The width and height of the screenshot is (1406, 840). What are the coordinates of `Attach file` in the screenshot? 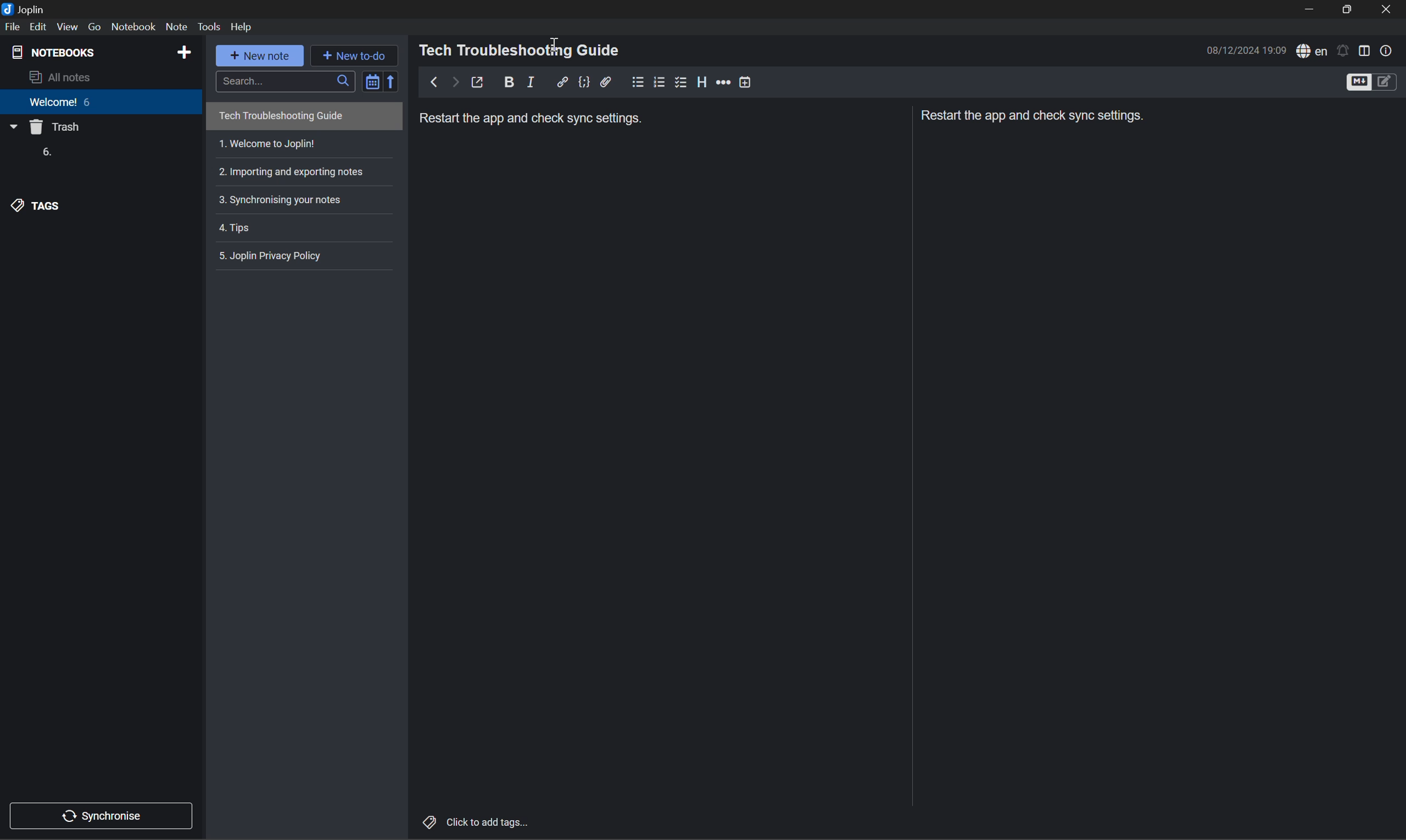 It's located at (608, 82).